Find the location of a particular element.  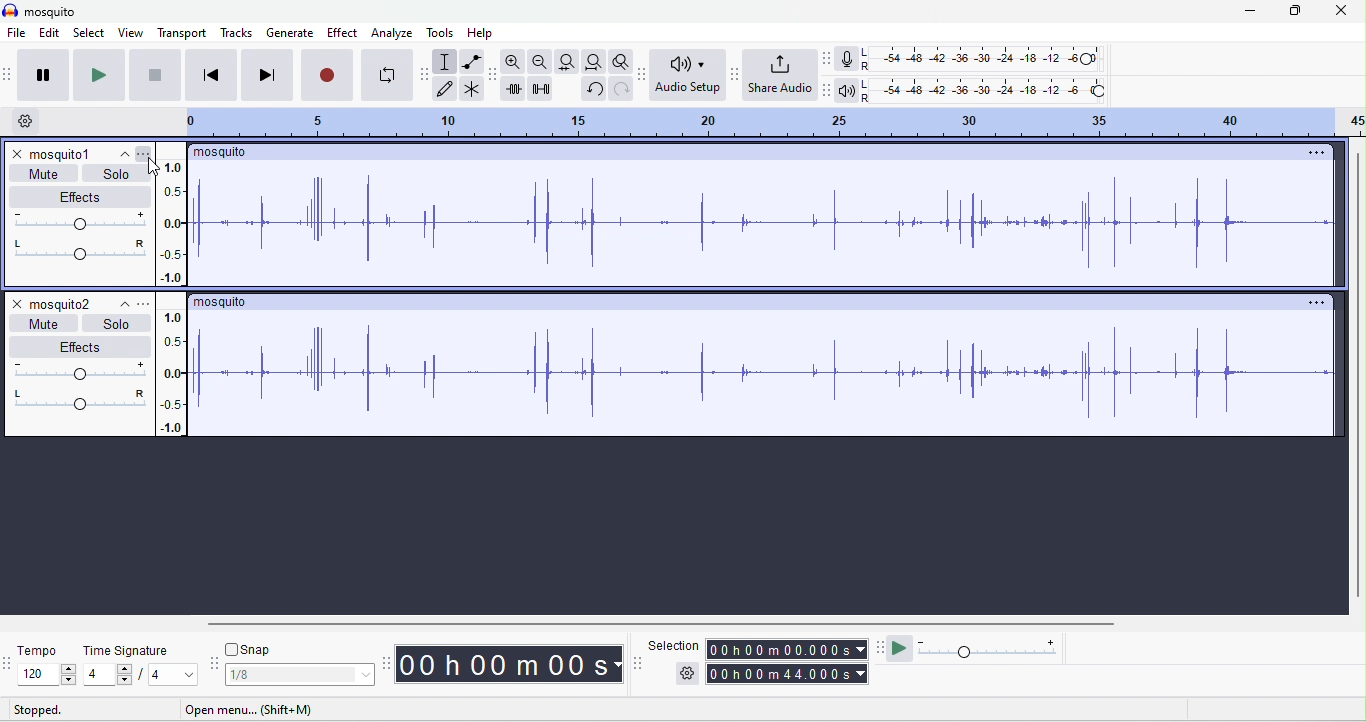

time is located at coordinates (508, 664).